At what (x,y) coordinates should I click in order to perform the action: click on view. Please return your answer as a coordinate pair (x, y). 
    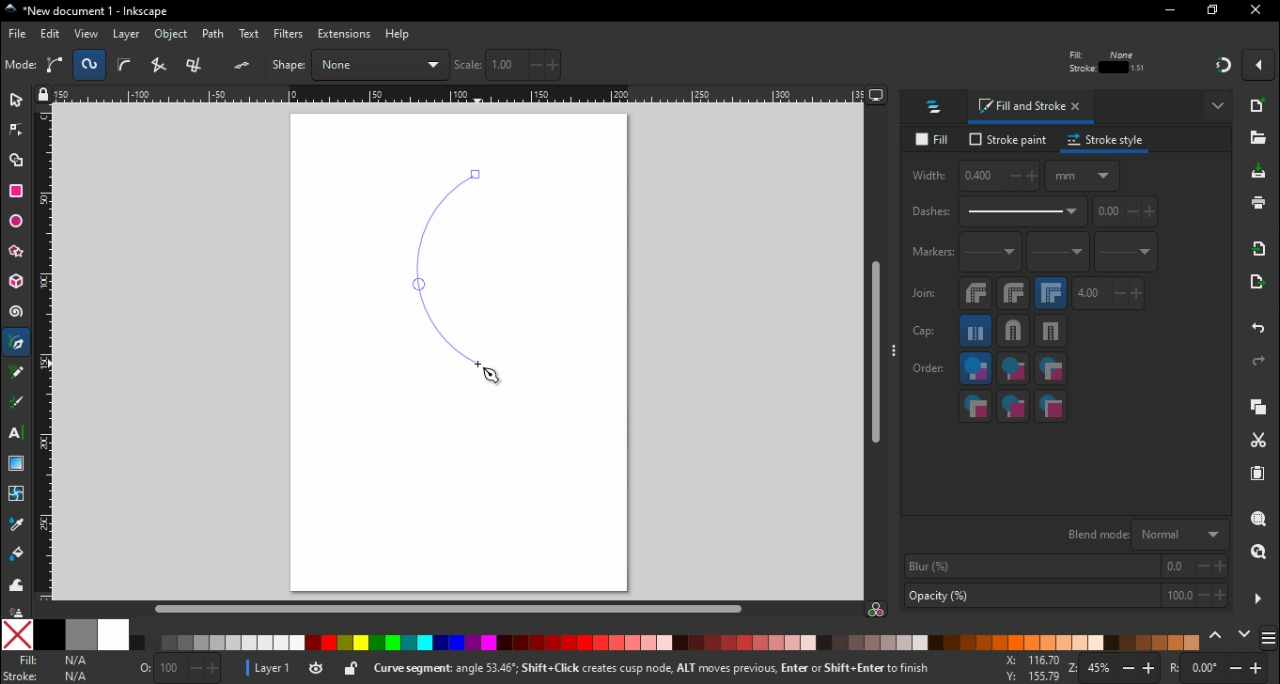
    Looking at the image, I should click on (85, 34).